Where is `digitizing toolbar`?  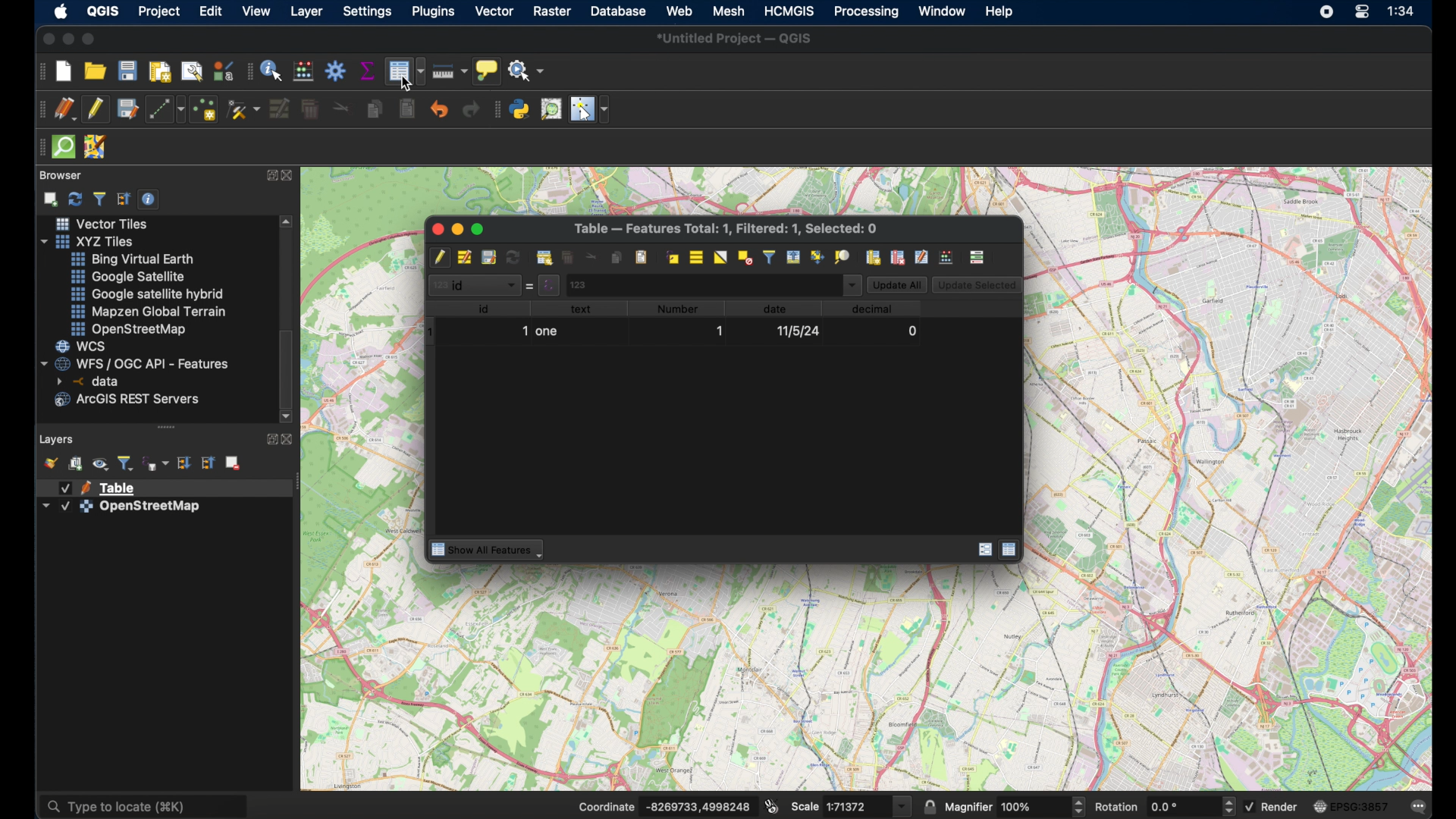 digitizing toolbar is located at coordinates (39, 111).